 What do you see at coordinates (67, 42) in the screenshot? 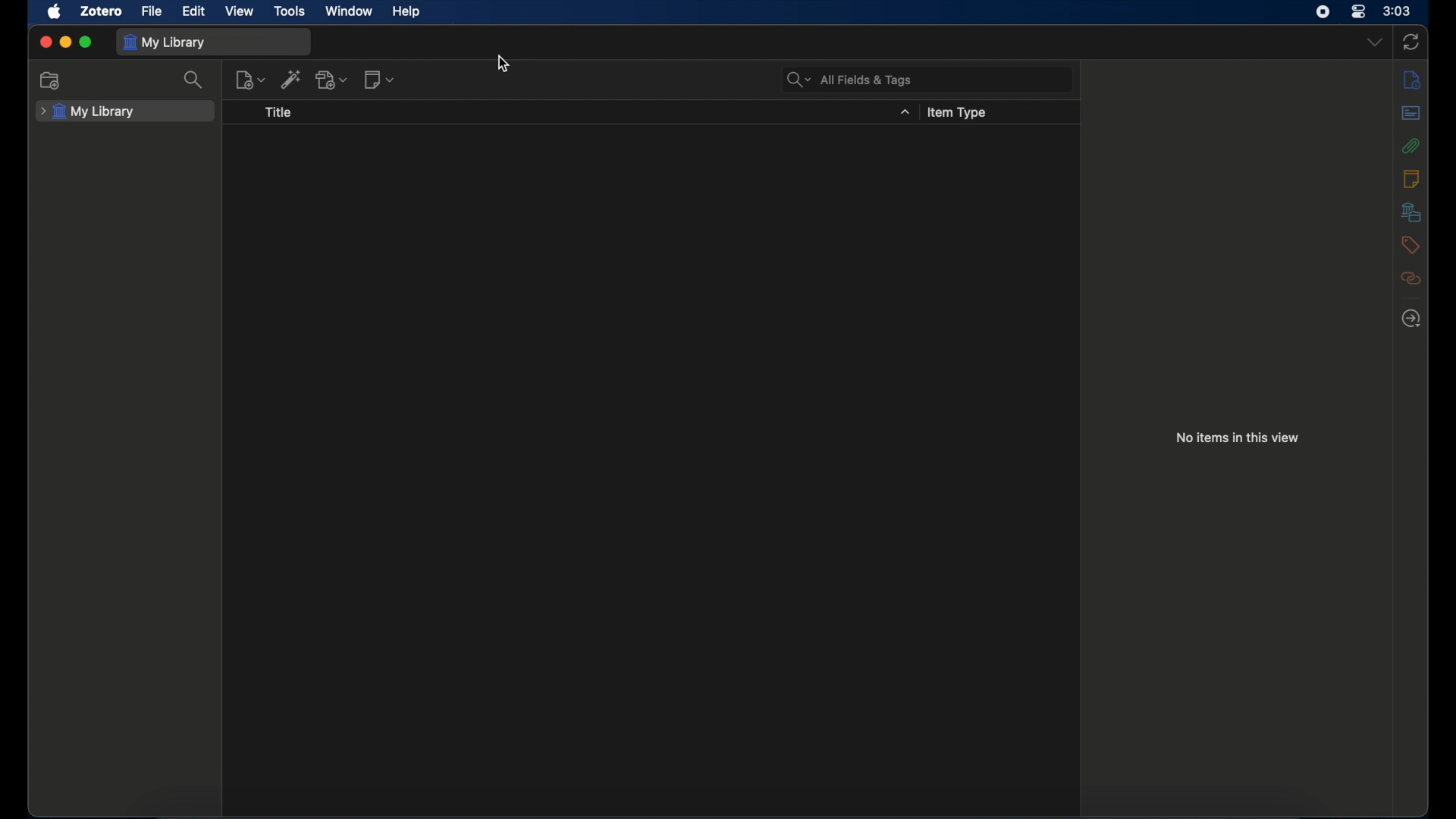
I see `minimize` at bounding box center [67, 42].